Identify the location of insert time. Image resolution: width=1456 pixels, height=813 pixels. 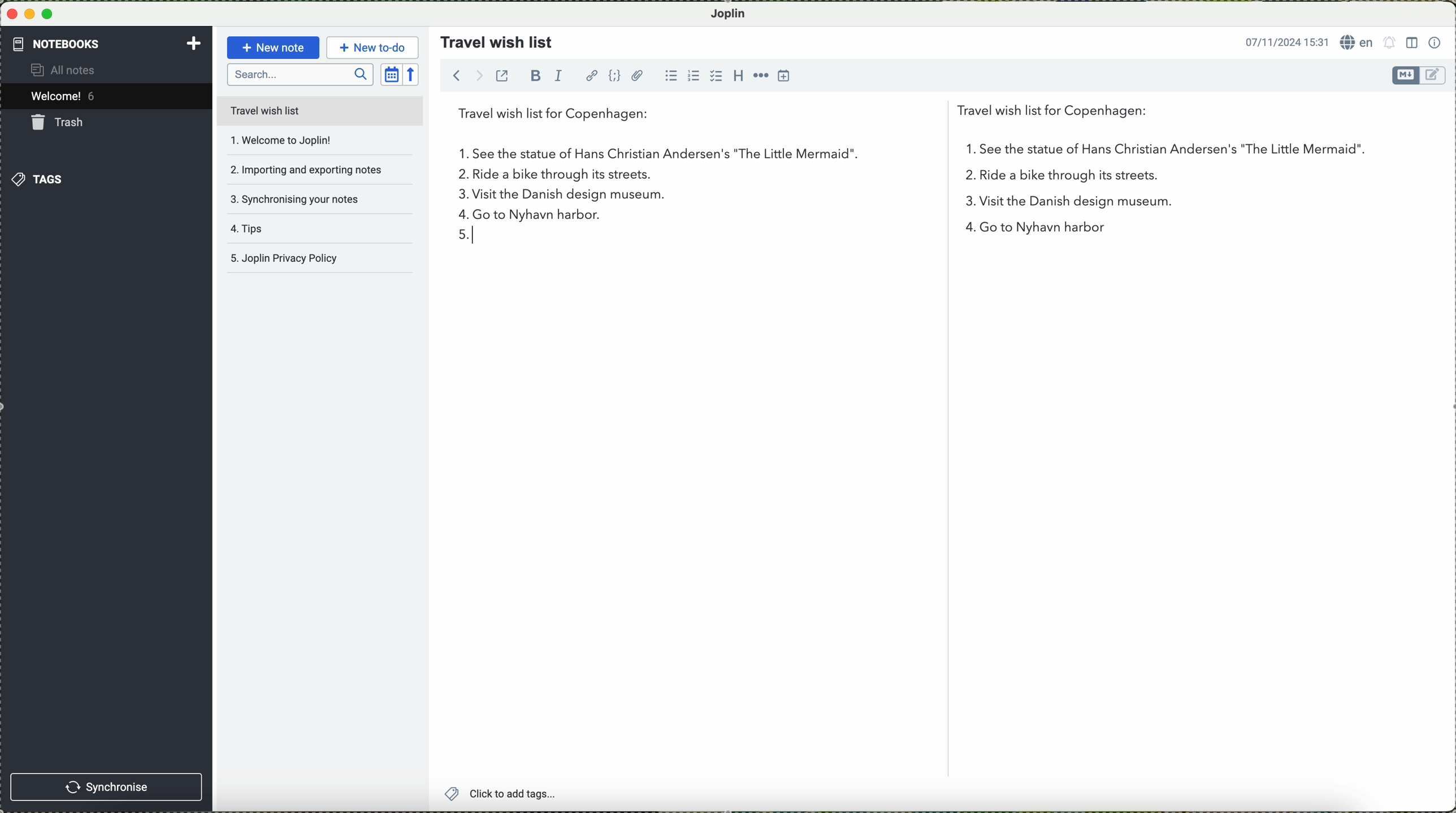
(785, 77).